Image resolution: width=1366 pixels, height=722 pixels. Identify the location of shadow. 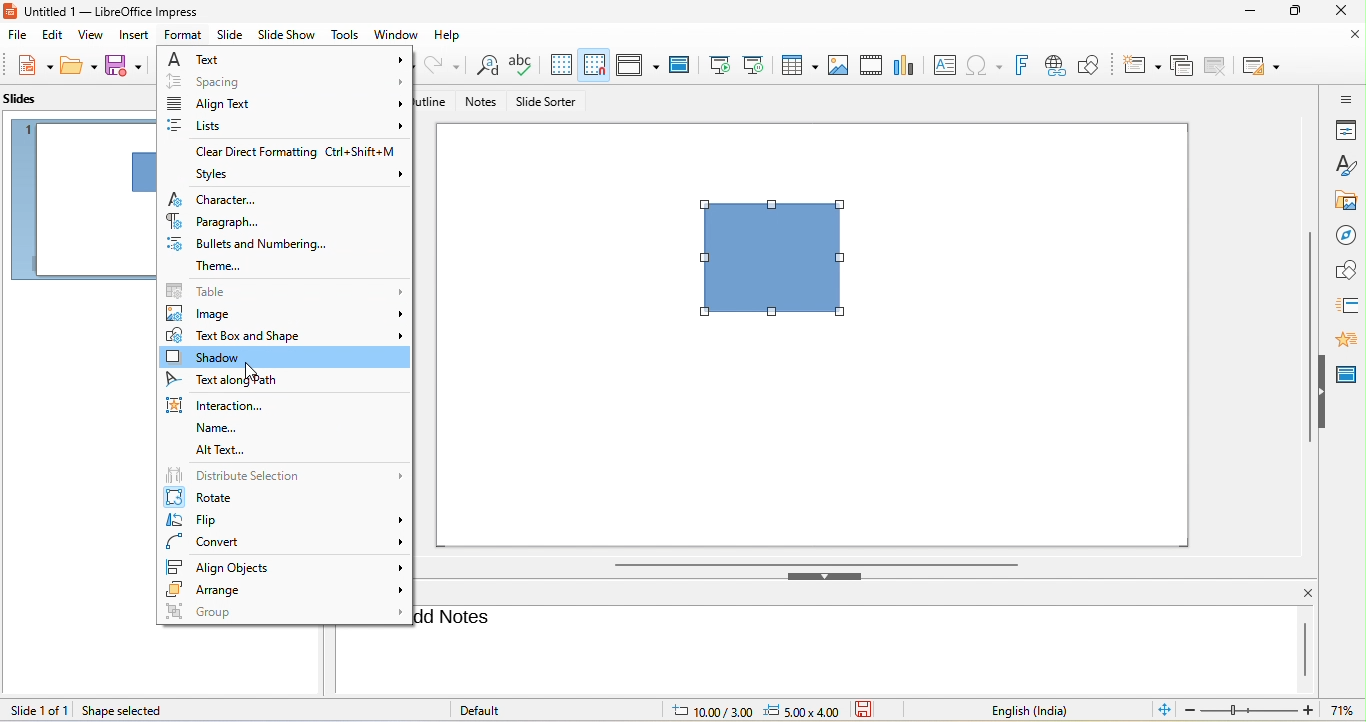
(282, 359).